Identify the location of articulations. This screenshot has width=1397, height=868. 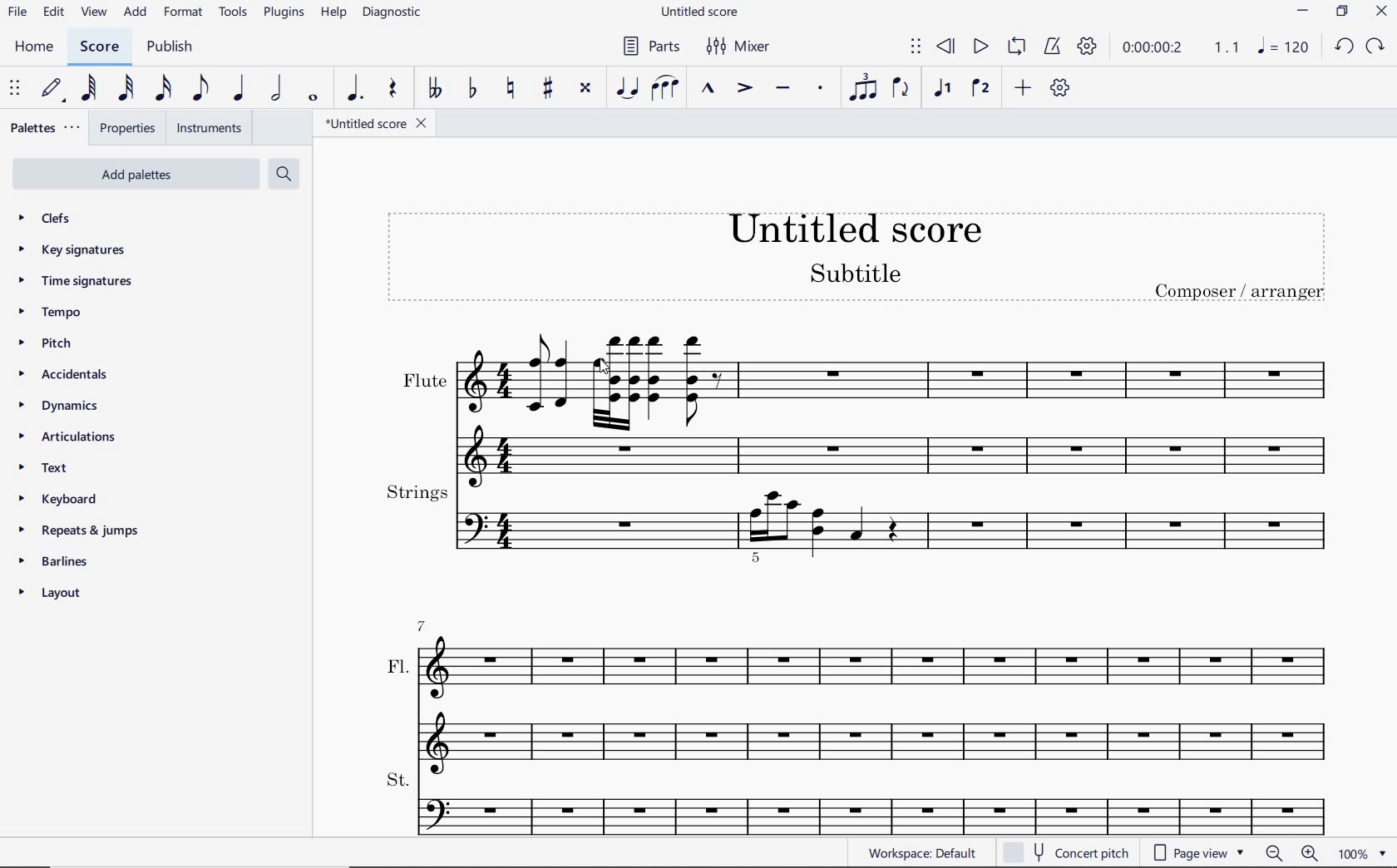
(77, 437).